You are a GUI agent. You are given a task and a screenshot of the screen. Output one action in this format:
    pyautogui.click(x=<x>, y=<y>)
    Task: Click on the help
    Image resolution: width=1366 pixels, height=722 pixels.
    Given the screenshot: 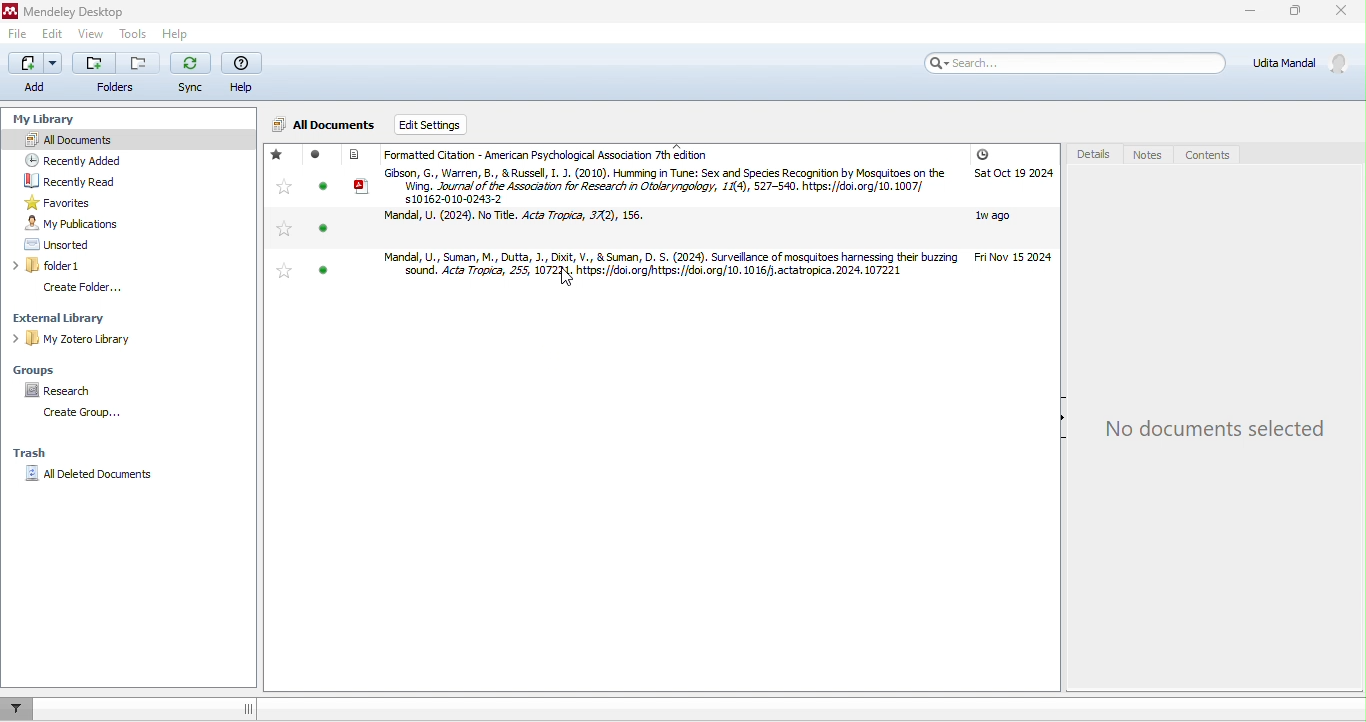 What is the action you would take?
    pyautogui.click(x=173, y=34)
    